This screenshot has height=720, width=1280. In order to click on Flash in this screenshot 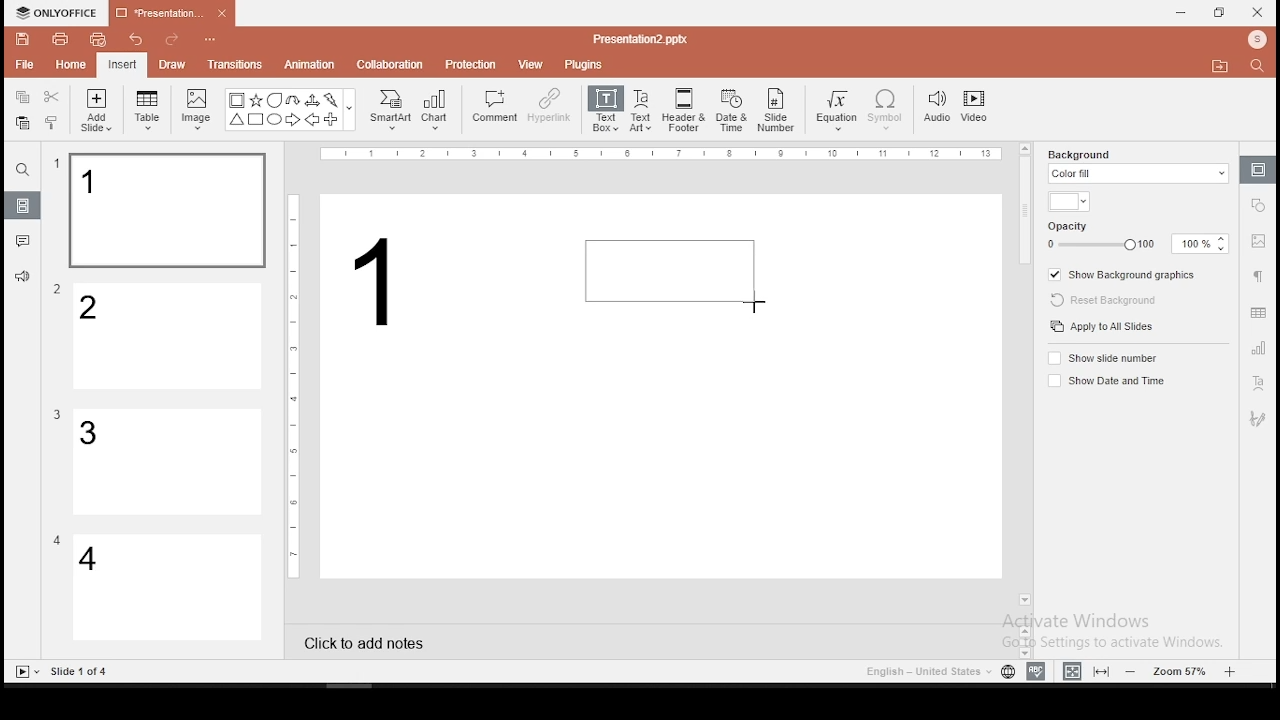, I will do `click(333, 100)`.